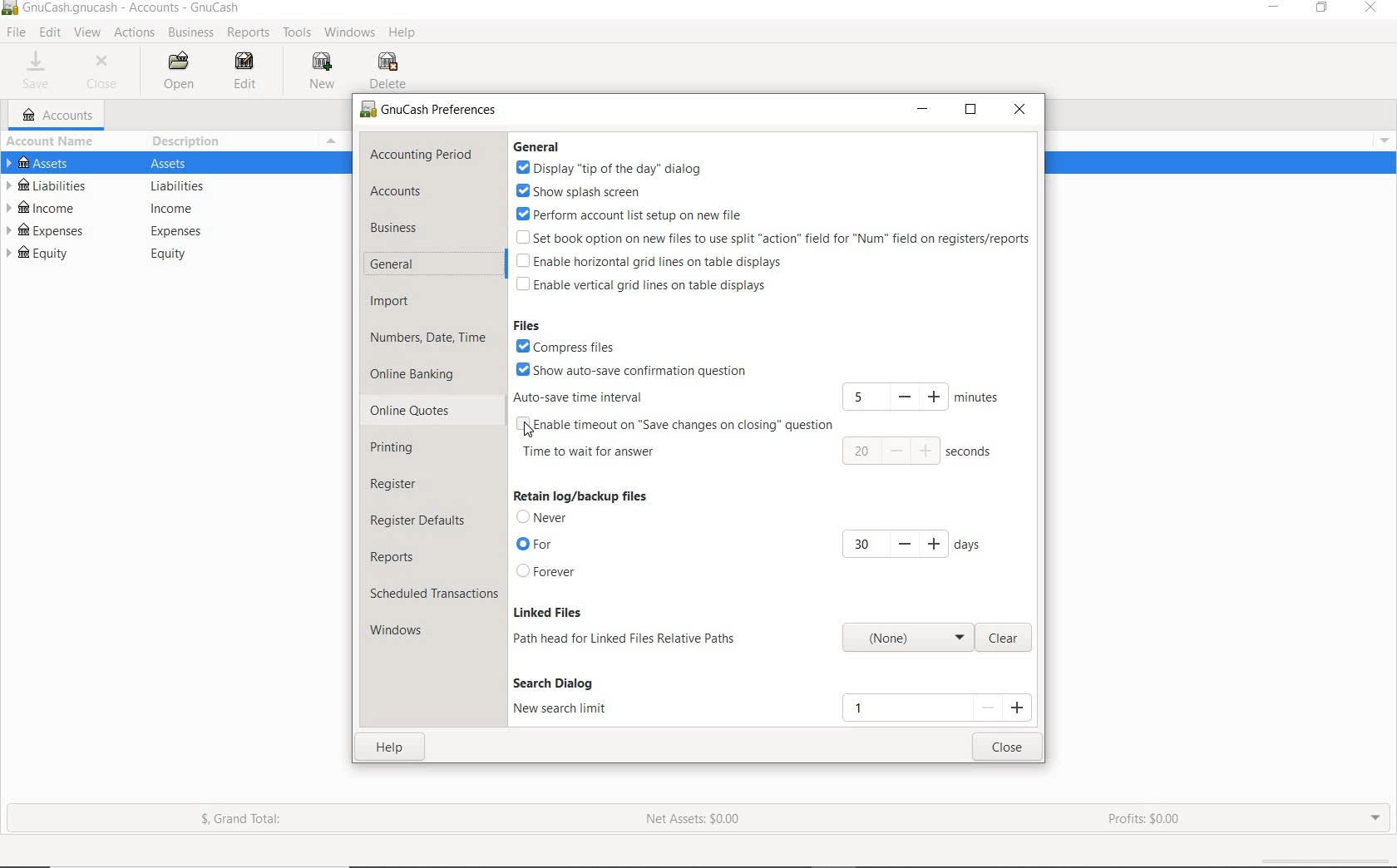 This screenshot has width=1397, height=868. I want to click on MINIMIZE, so click(1276, 11).